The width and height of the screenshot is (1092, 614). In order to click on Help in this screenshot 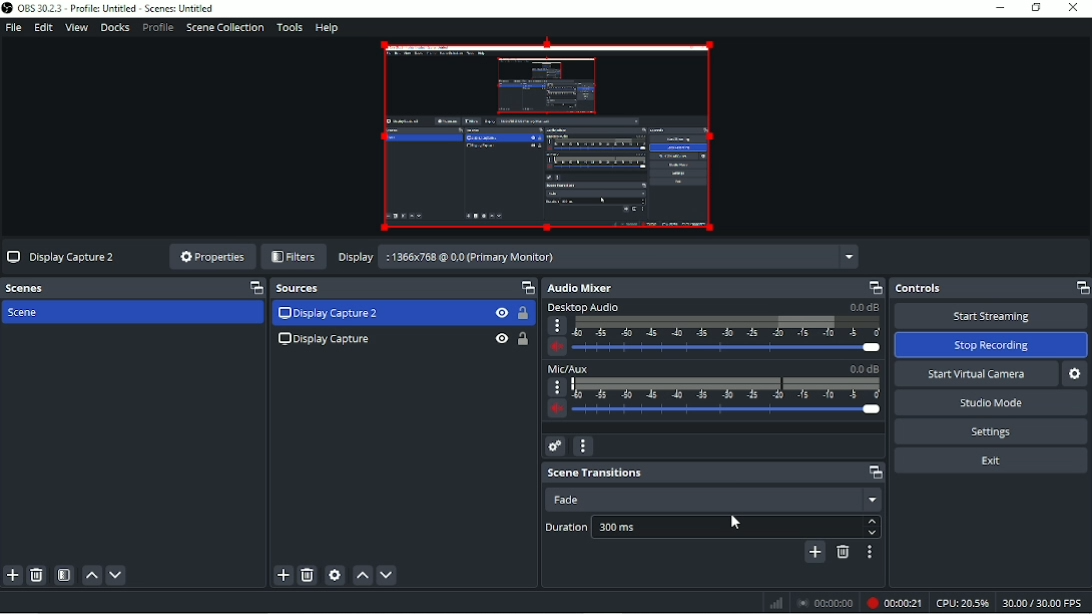, I will do `click(327, 28)`.